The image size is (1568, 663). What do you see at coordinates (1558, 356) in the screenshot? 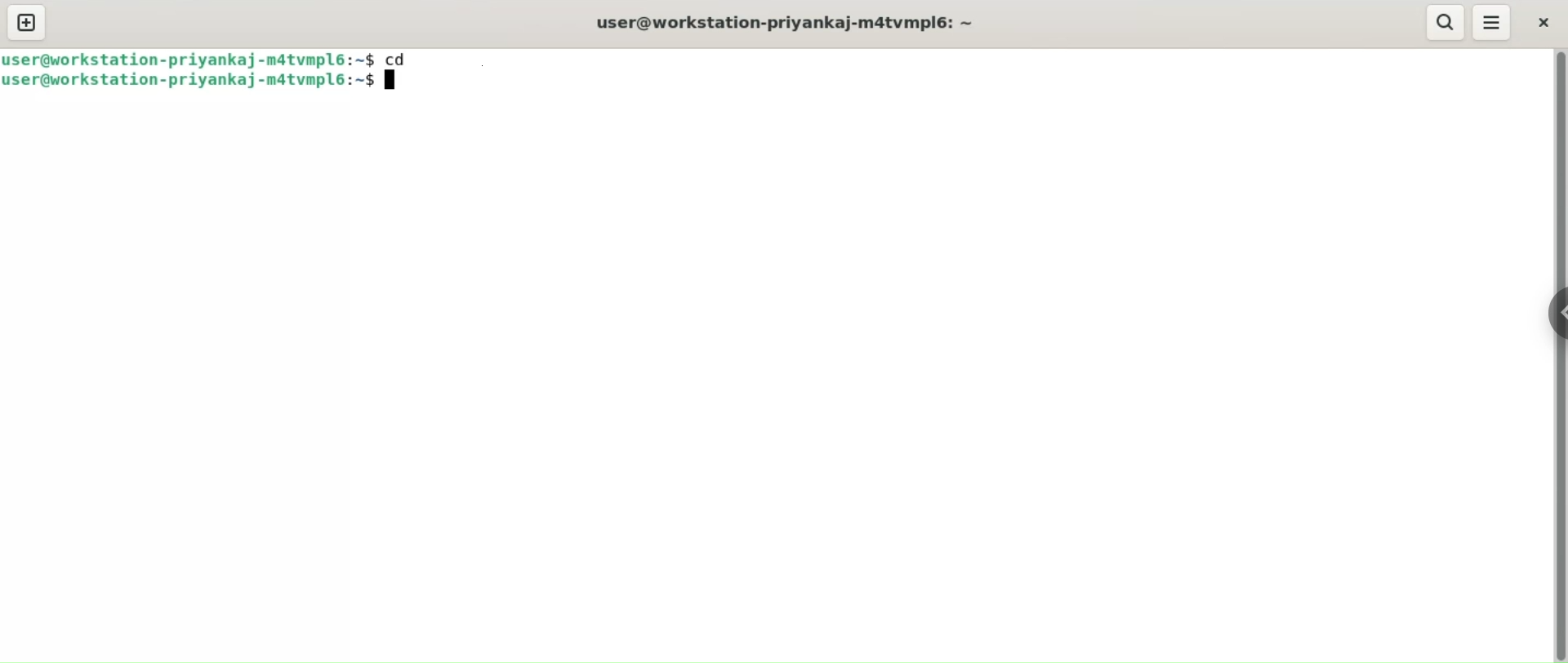
I see `verical scroll bar` at bounding box center [1558, 356].